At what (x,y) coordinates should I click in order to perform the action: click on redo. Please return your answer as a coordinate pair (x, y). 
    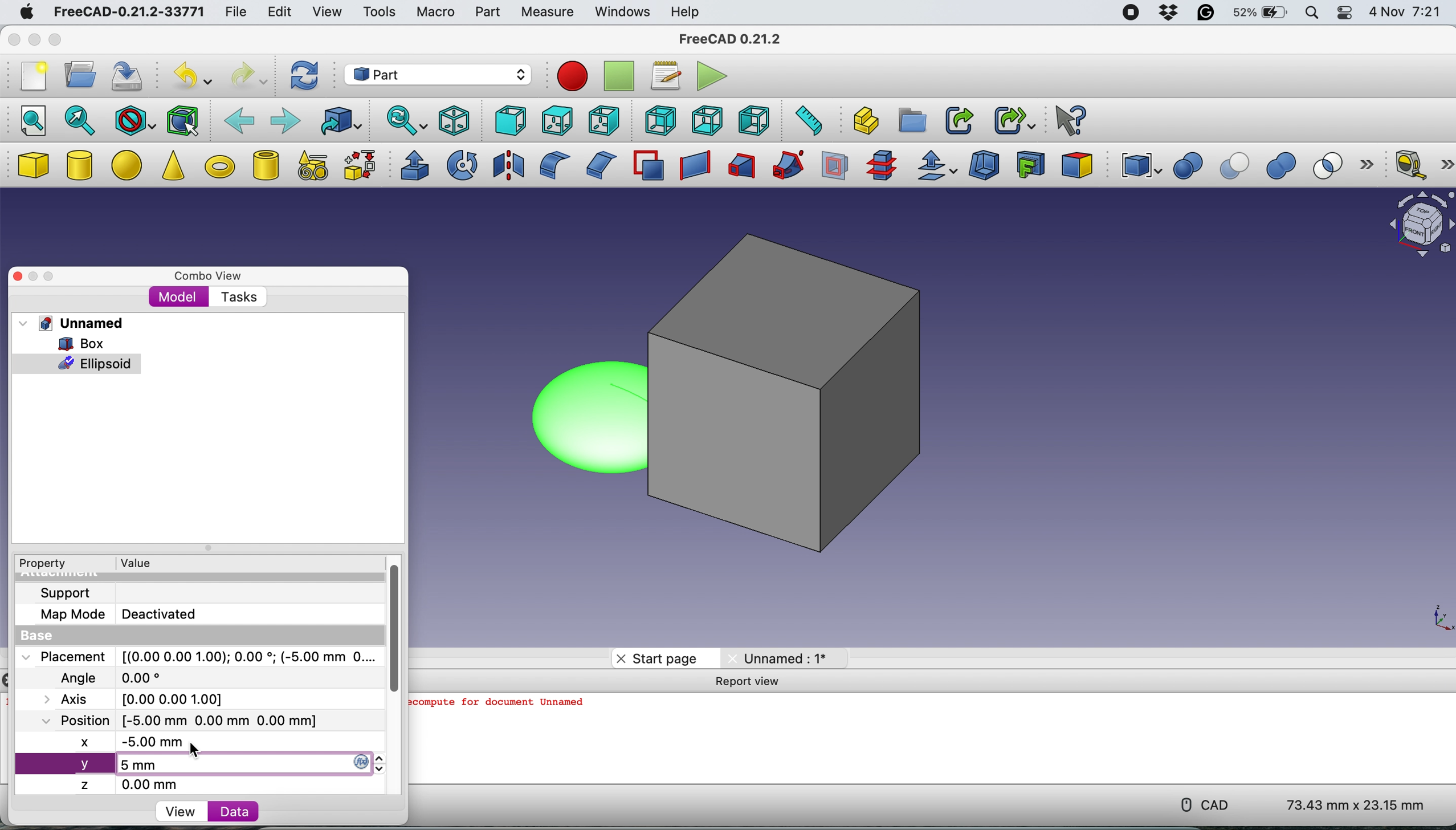
    Looking at the image, I should click on (248, 76).